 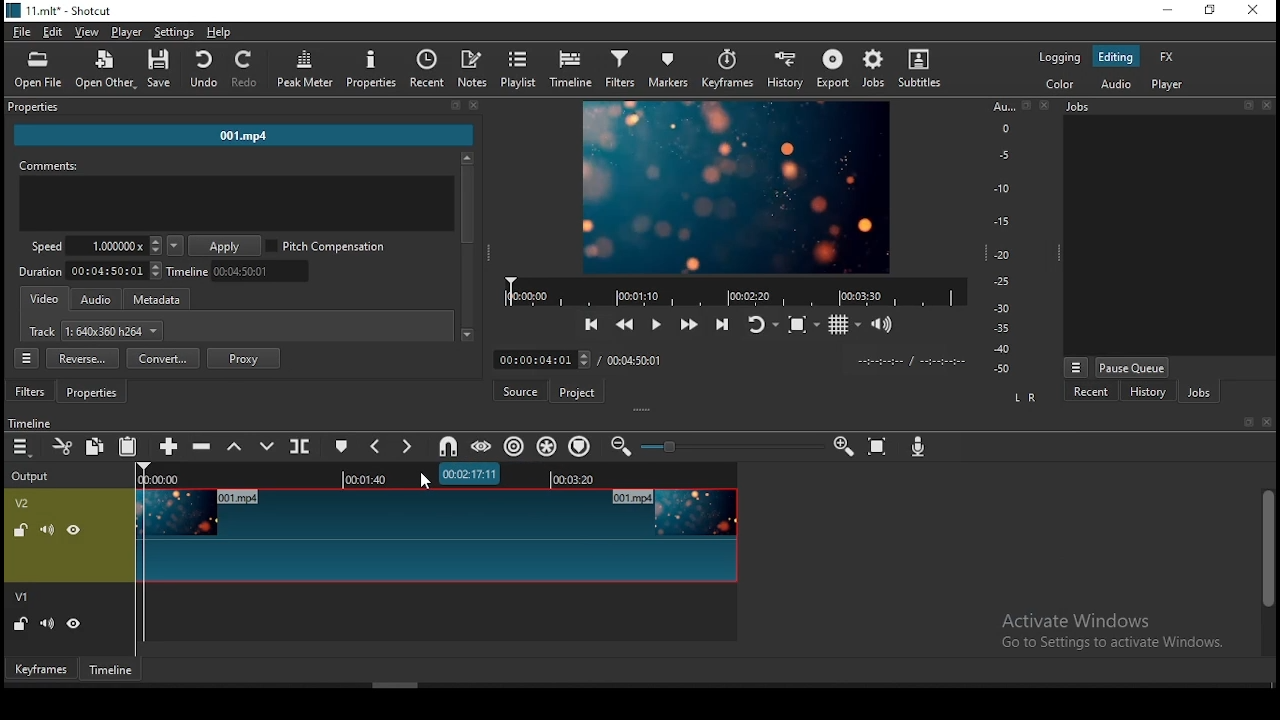 What do you see at coordinates (267, 446) in the screenshot?
I see `overwrite` at bounding box center [267, 446].